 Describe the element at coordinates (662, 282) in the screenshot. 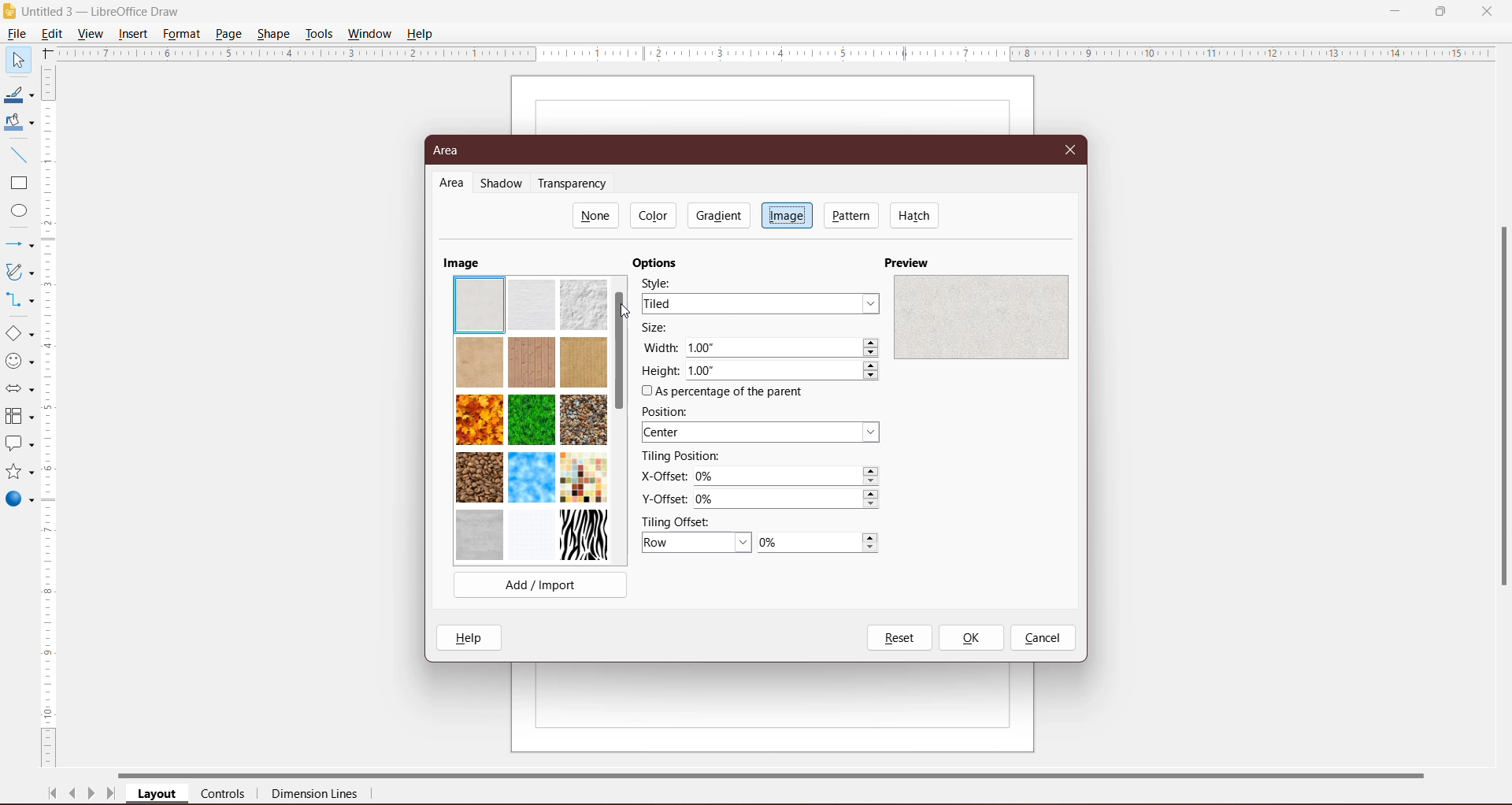

I see `Style` at that location.